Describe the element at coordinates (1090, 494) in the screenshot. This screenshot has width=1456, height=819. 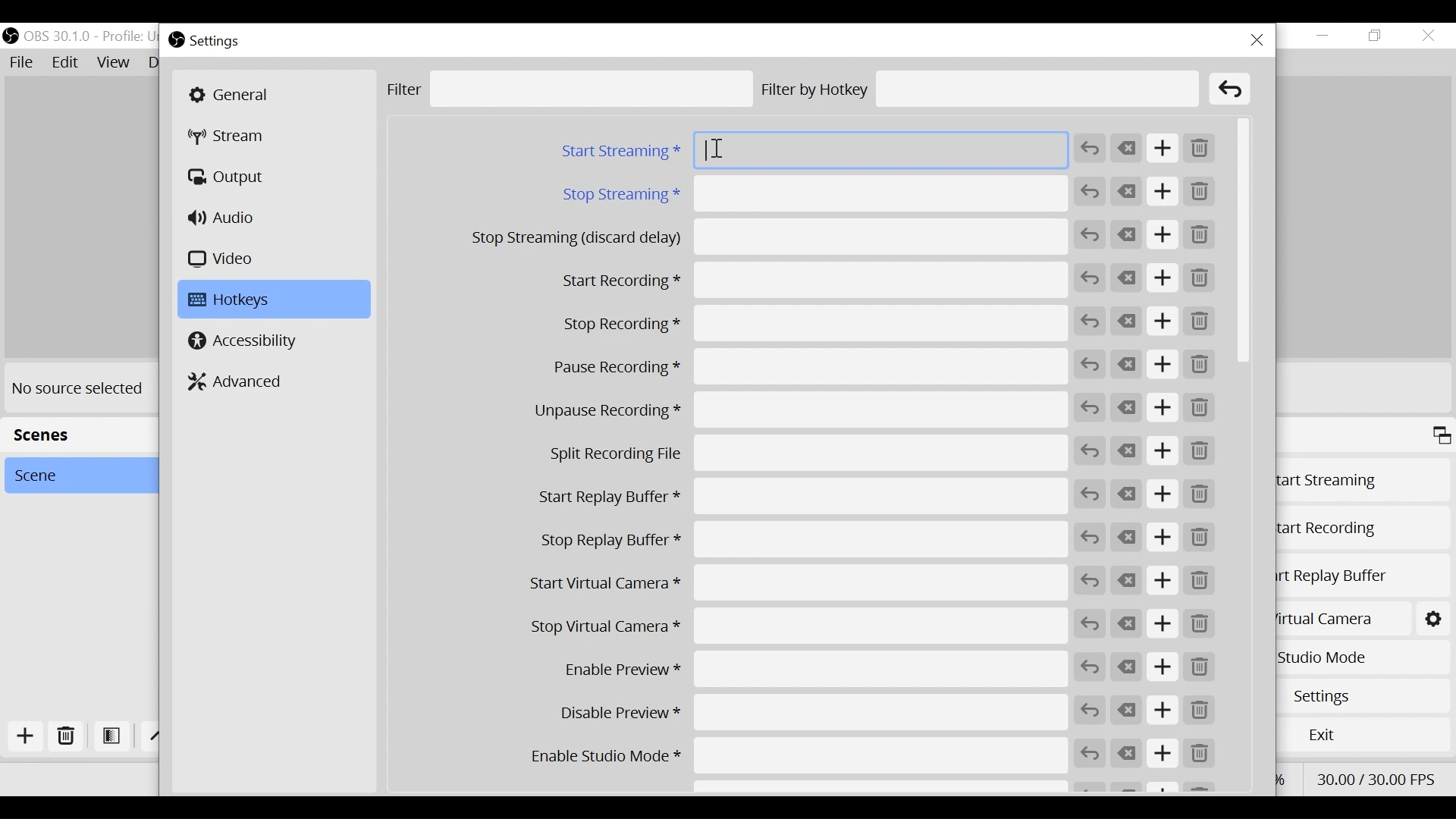
I see `Revert` at that location.